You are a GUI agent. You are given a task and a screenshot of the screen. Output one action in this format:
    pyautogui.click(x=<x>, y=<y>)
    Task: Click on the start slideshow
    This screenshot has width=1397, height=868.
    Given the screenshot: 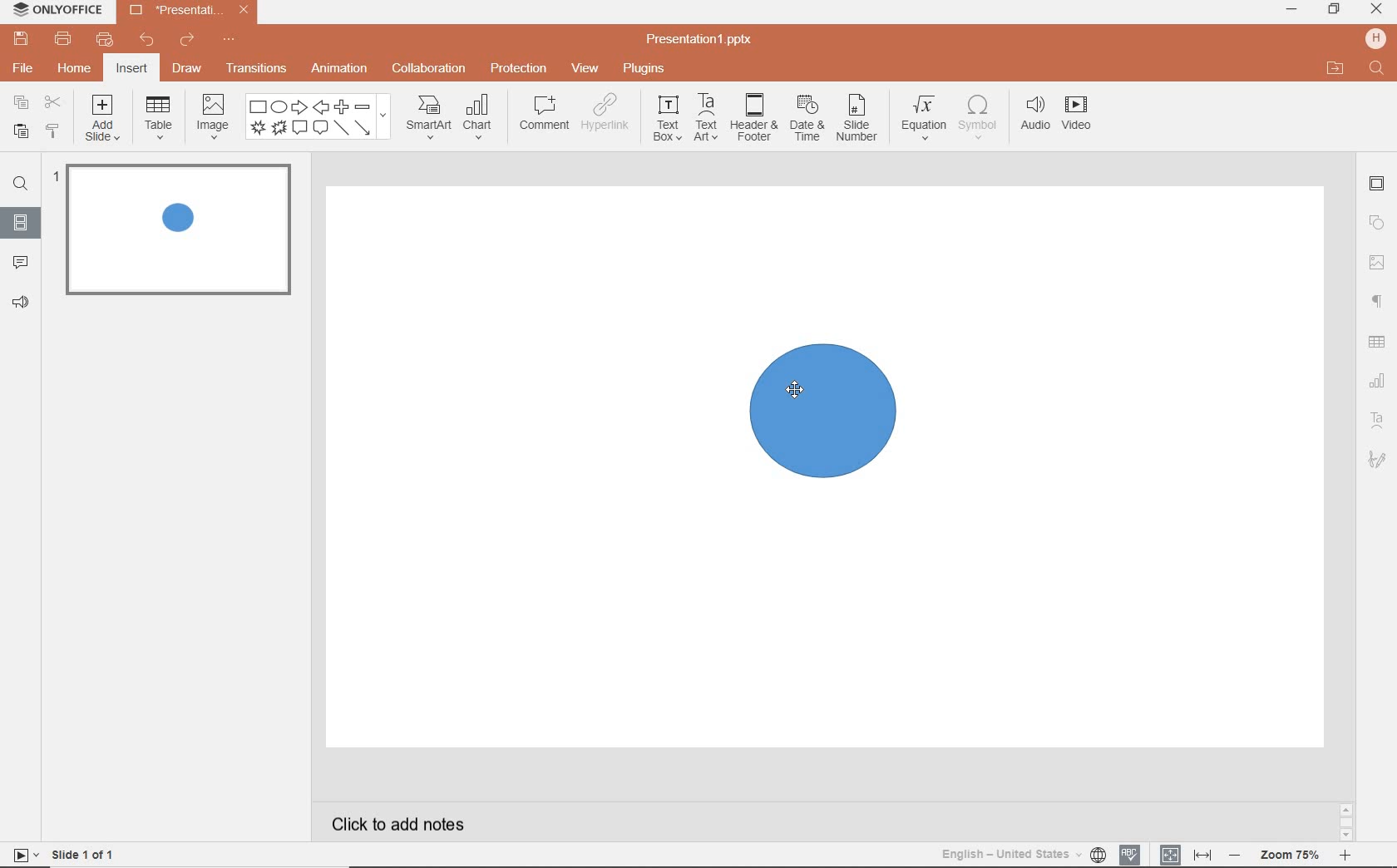 What is the action you would take?
    pyautogui.click(x=22, y=855)
    